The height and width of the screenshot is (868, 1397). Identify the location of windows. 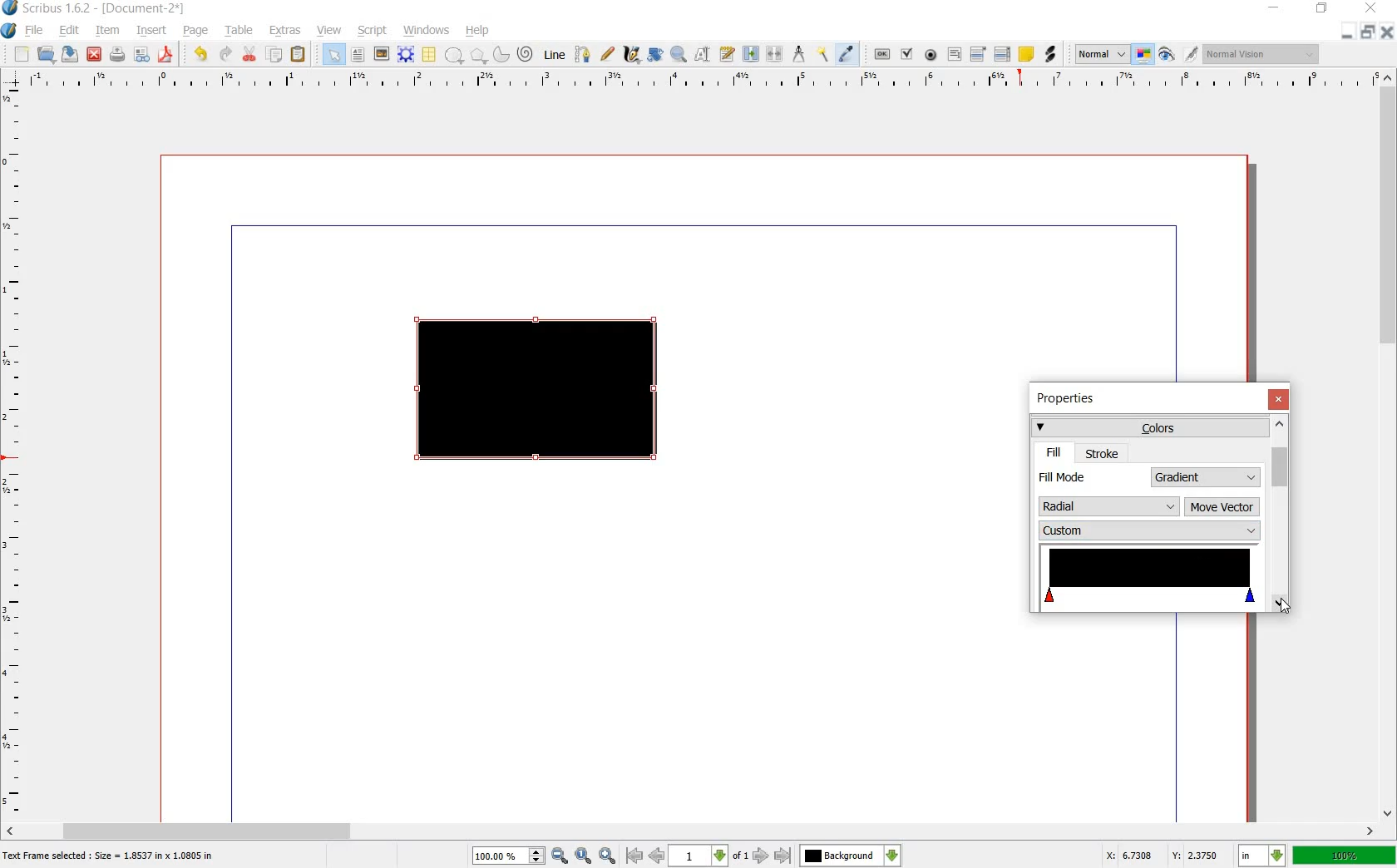
(426, 31).